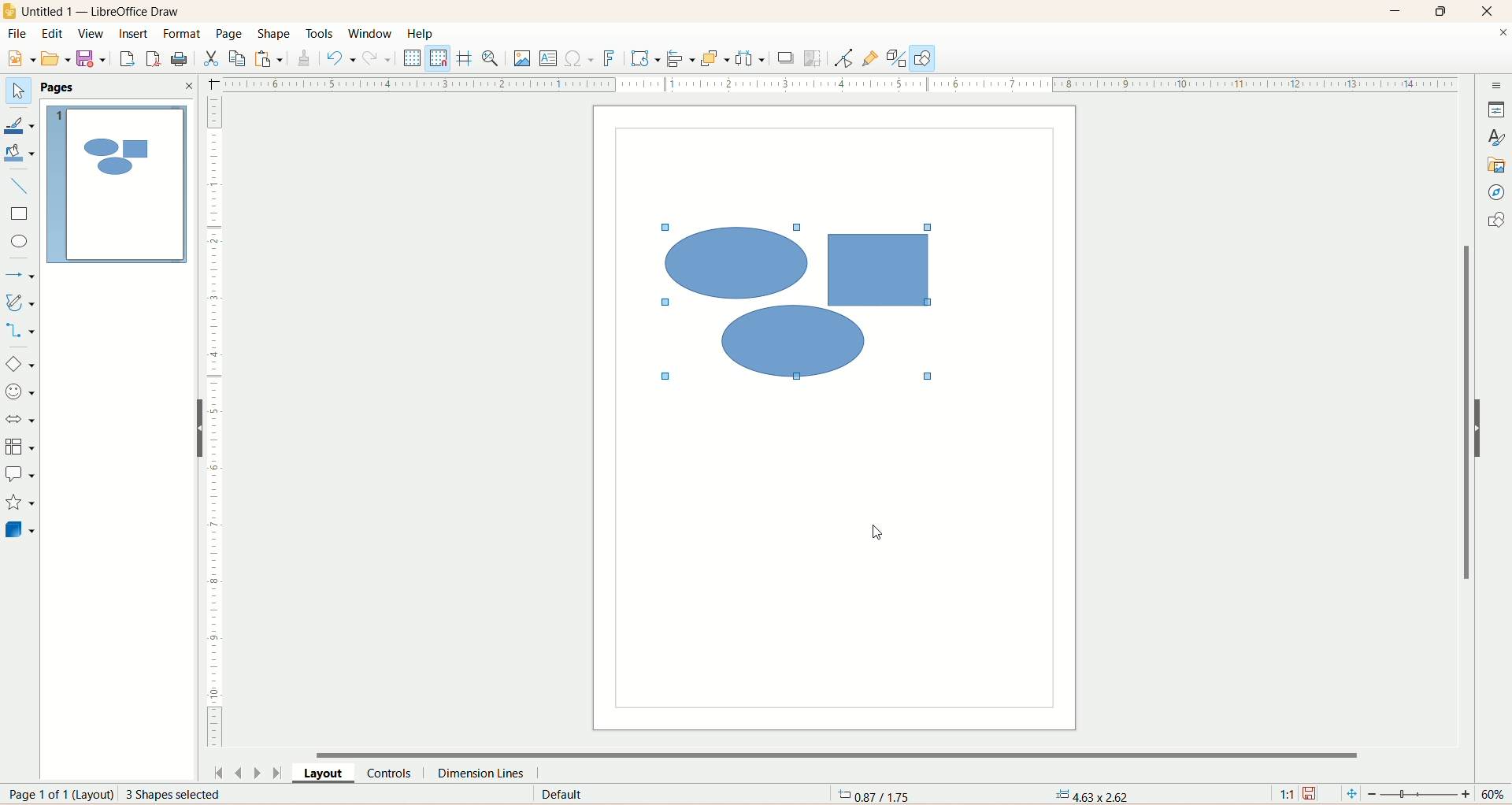 The height and width of the screenshot is (805, 1512). What do you see at coordinates (869, 59) in the screenshot?
I see `gluepoint function` at bounding box center [869, 59].